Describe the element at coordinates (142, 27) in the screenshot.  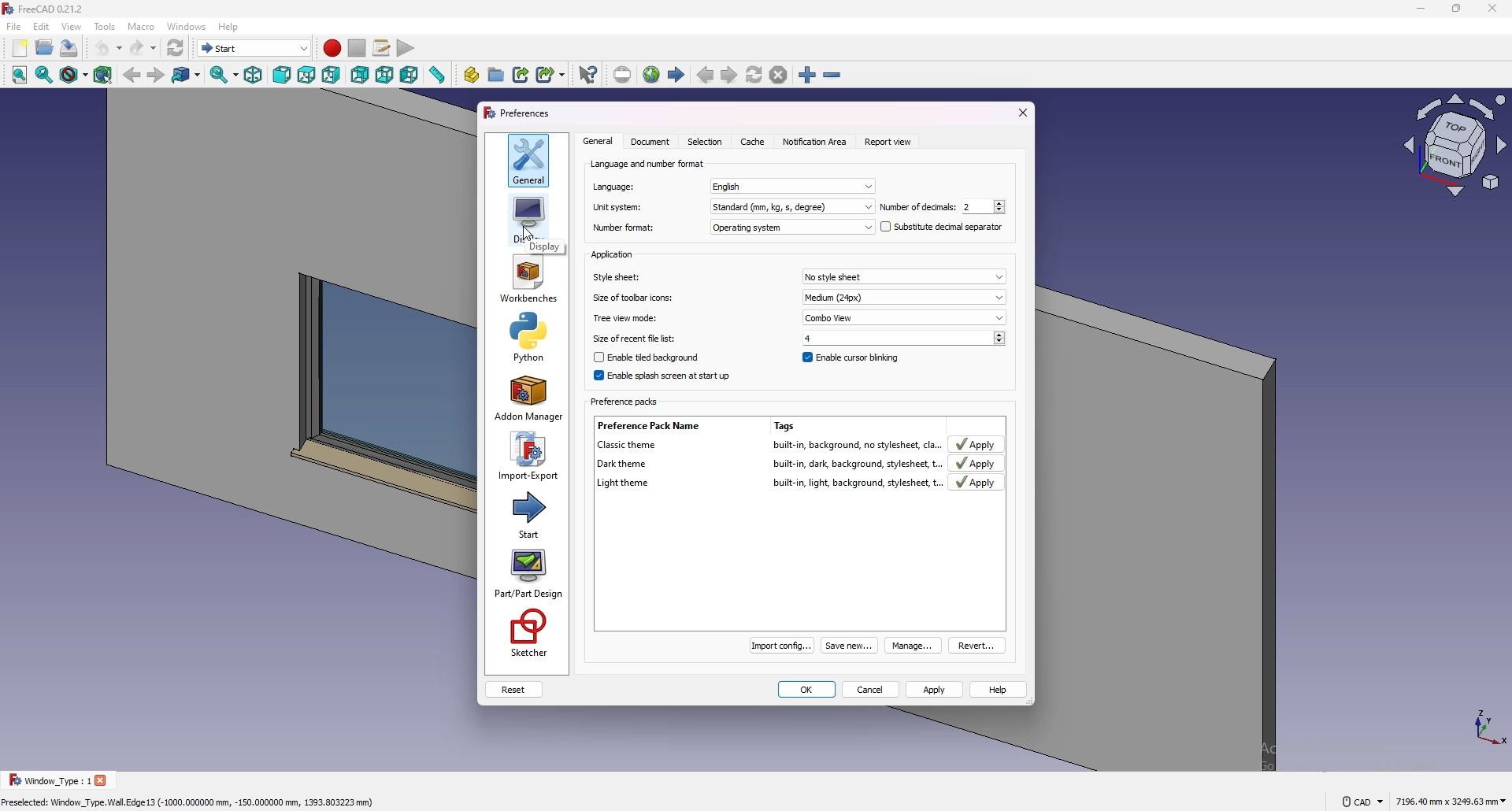
I see `macro` at that location.